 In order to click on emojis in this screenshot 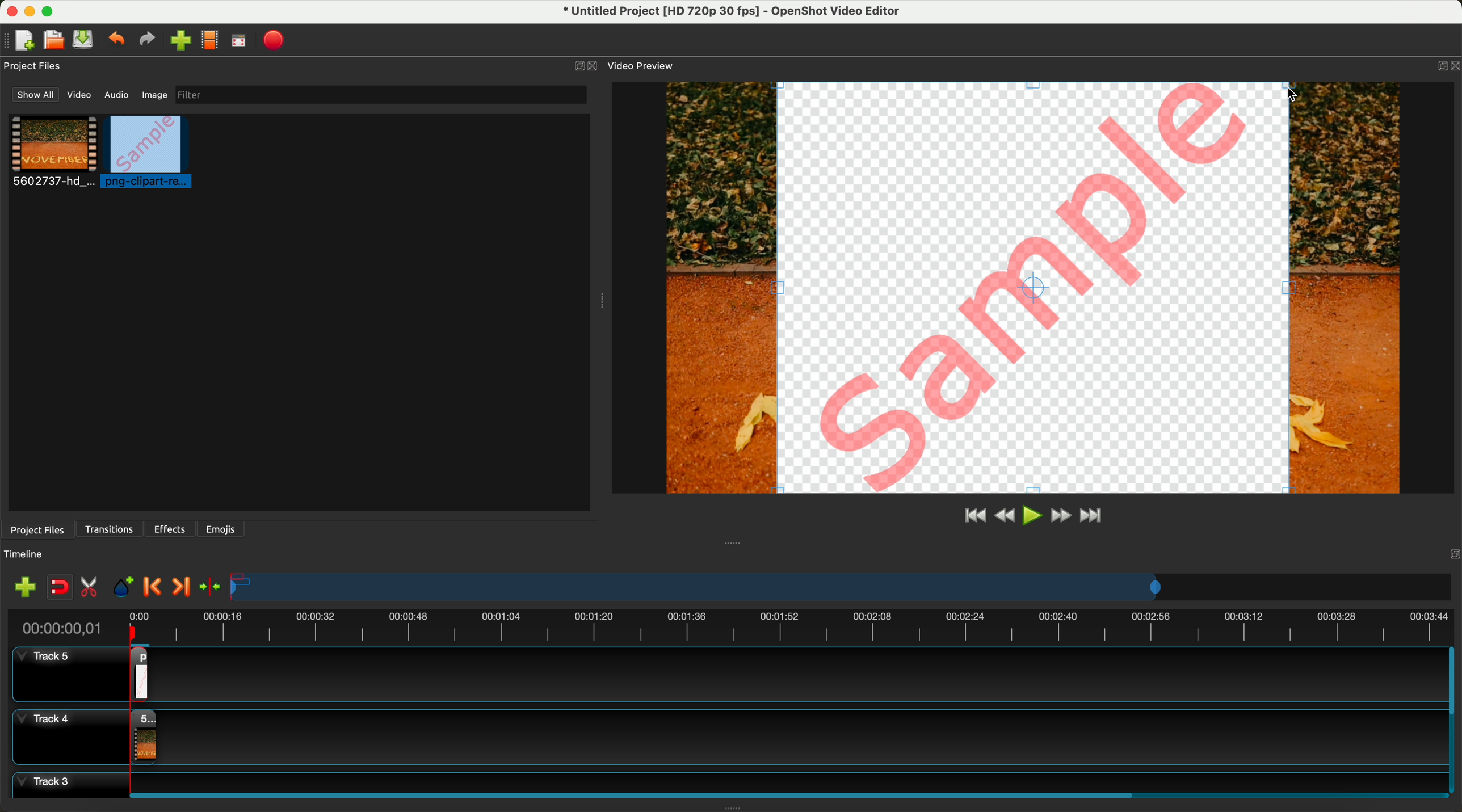, I will do `click(221, 527)`.